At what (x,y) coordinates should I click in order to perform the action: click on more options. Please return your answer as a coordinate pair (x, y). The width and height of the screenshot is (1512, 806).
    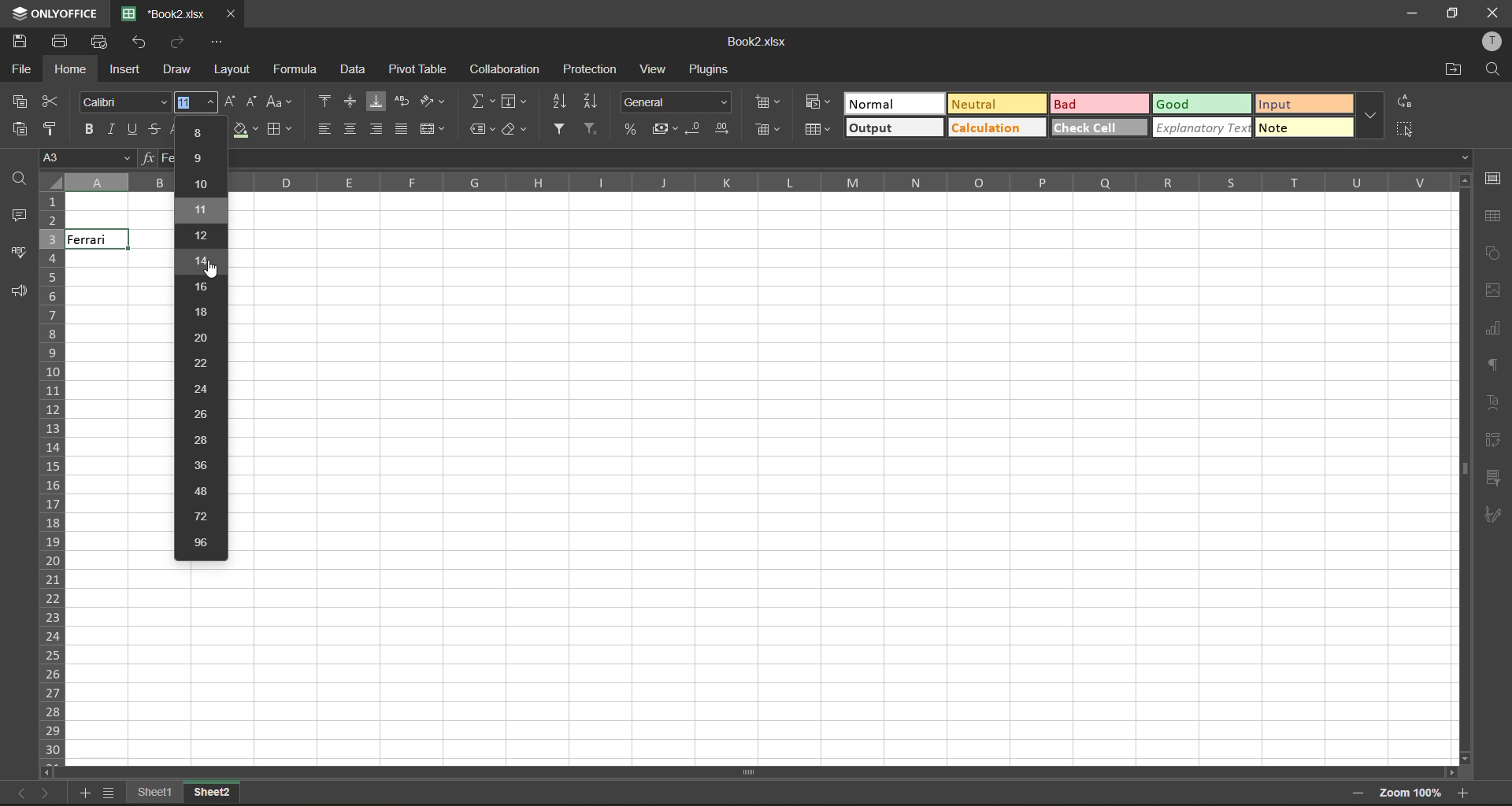
    Looking at the image, I should click on (1374, 116).